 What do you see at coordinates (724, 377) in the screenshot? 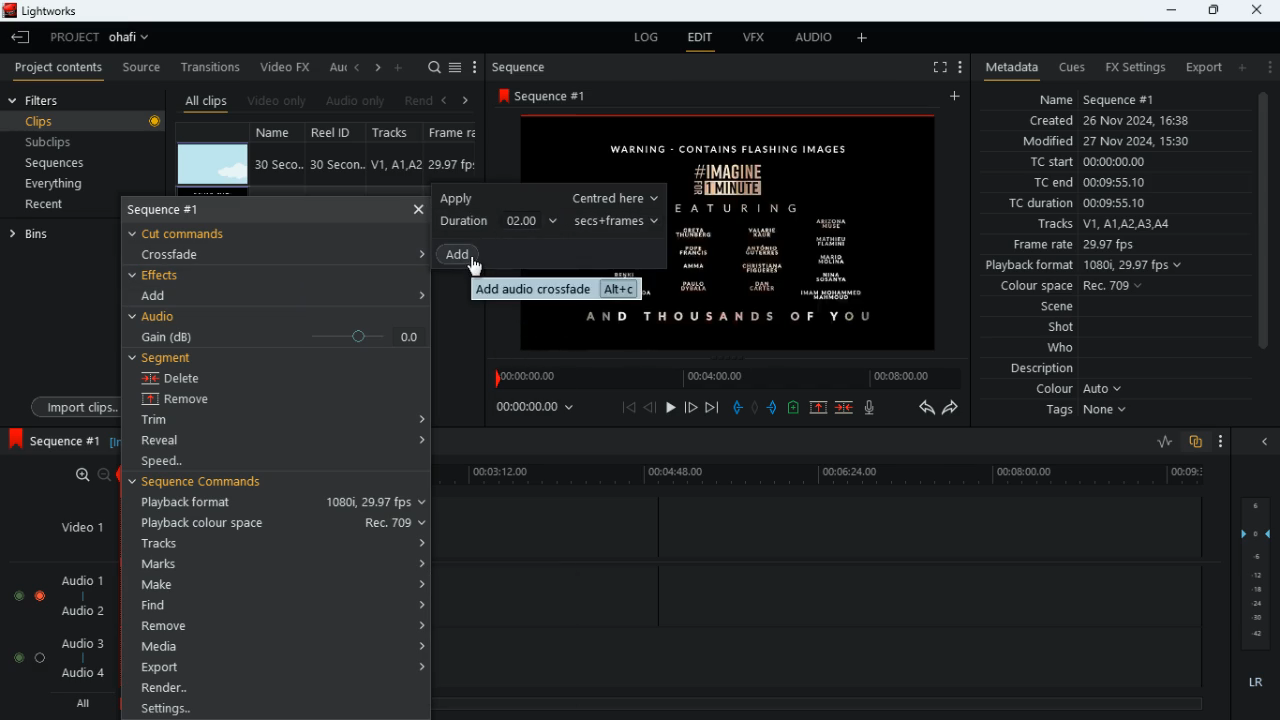
I see `timeline` at bounding box center [724, 377].